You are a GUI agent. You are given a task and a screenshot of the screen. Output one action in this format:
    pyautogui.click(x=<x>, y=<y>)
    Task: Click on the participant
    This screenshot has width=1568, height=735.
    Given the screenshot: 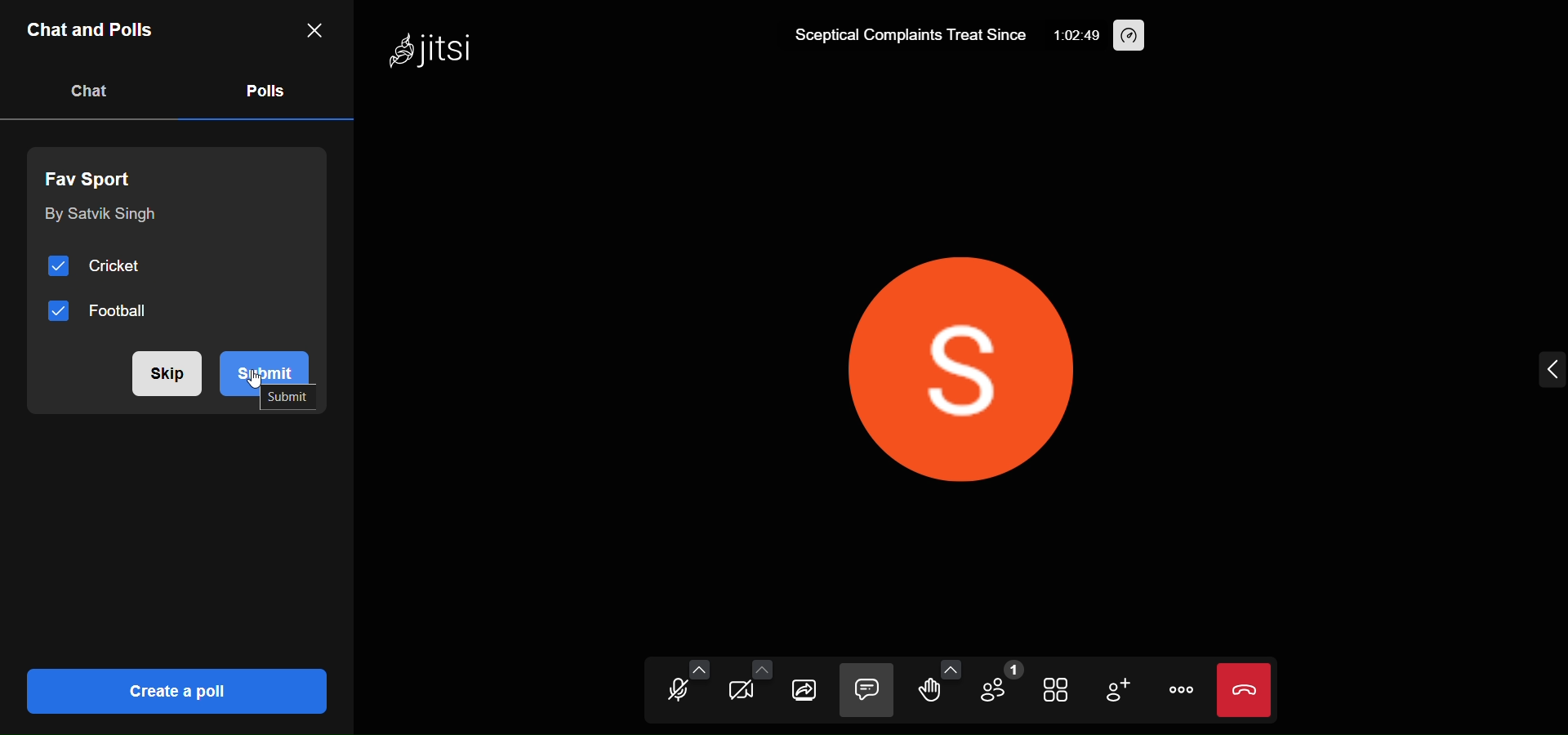 What is the action you would take?
    pyautogui.click(x=998, y=685)
    